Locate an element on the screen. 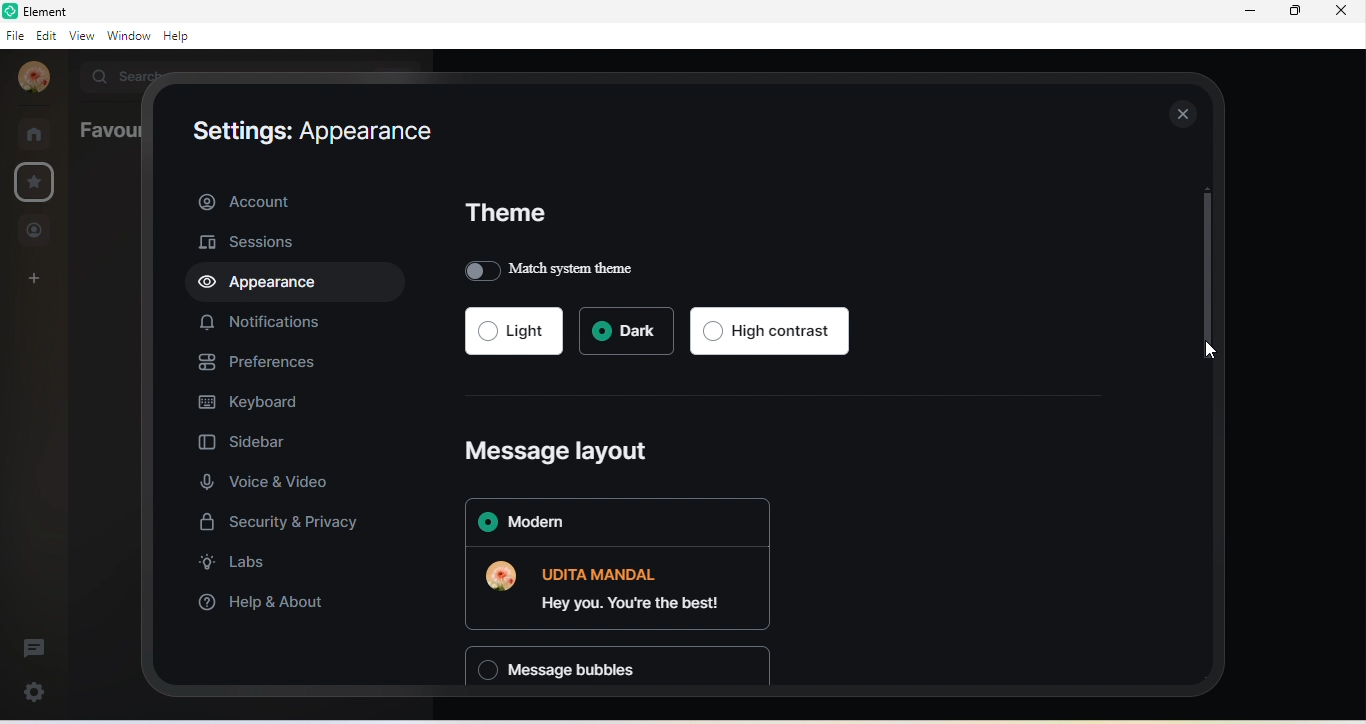 The width and height of the screenshot is (1366, 724). help is located at coordinates (178, 36).